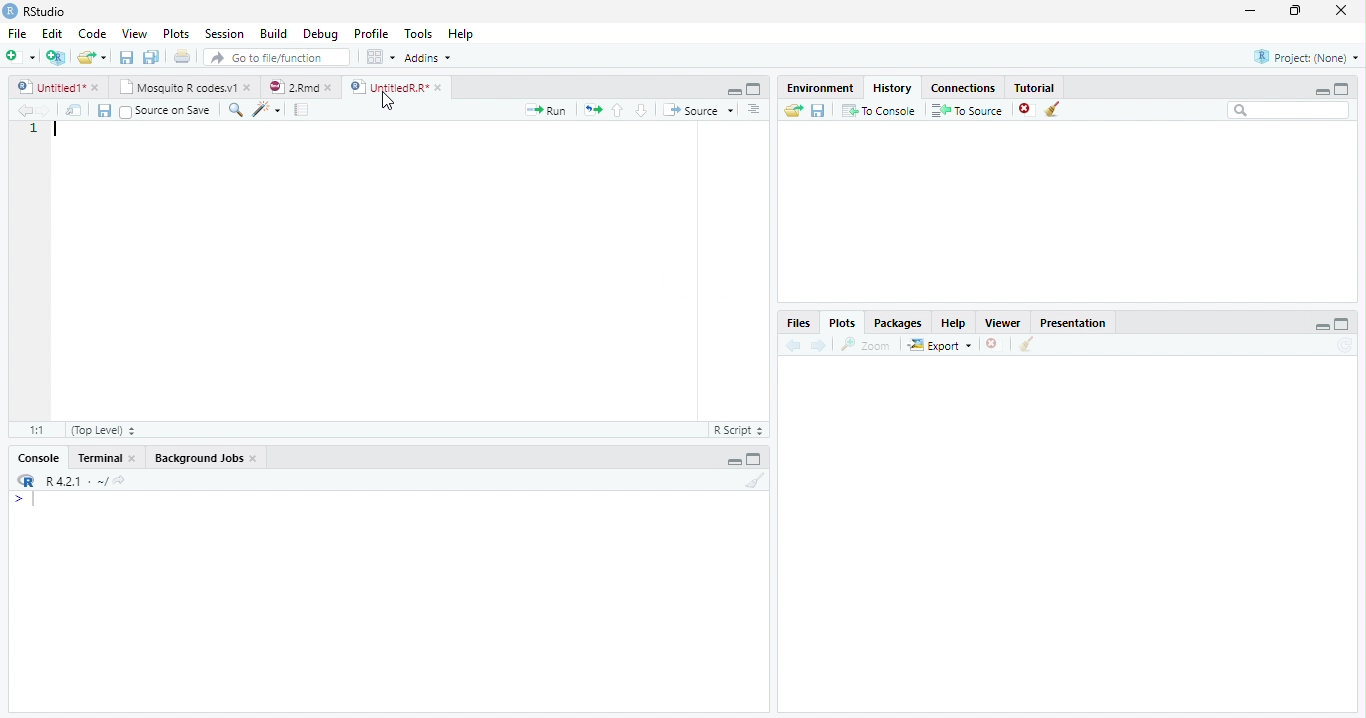  Describe the element at coordinates (1306, 57) in the screenshot. I see `Project: (None)` at that location.